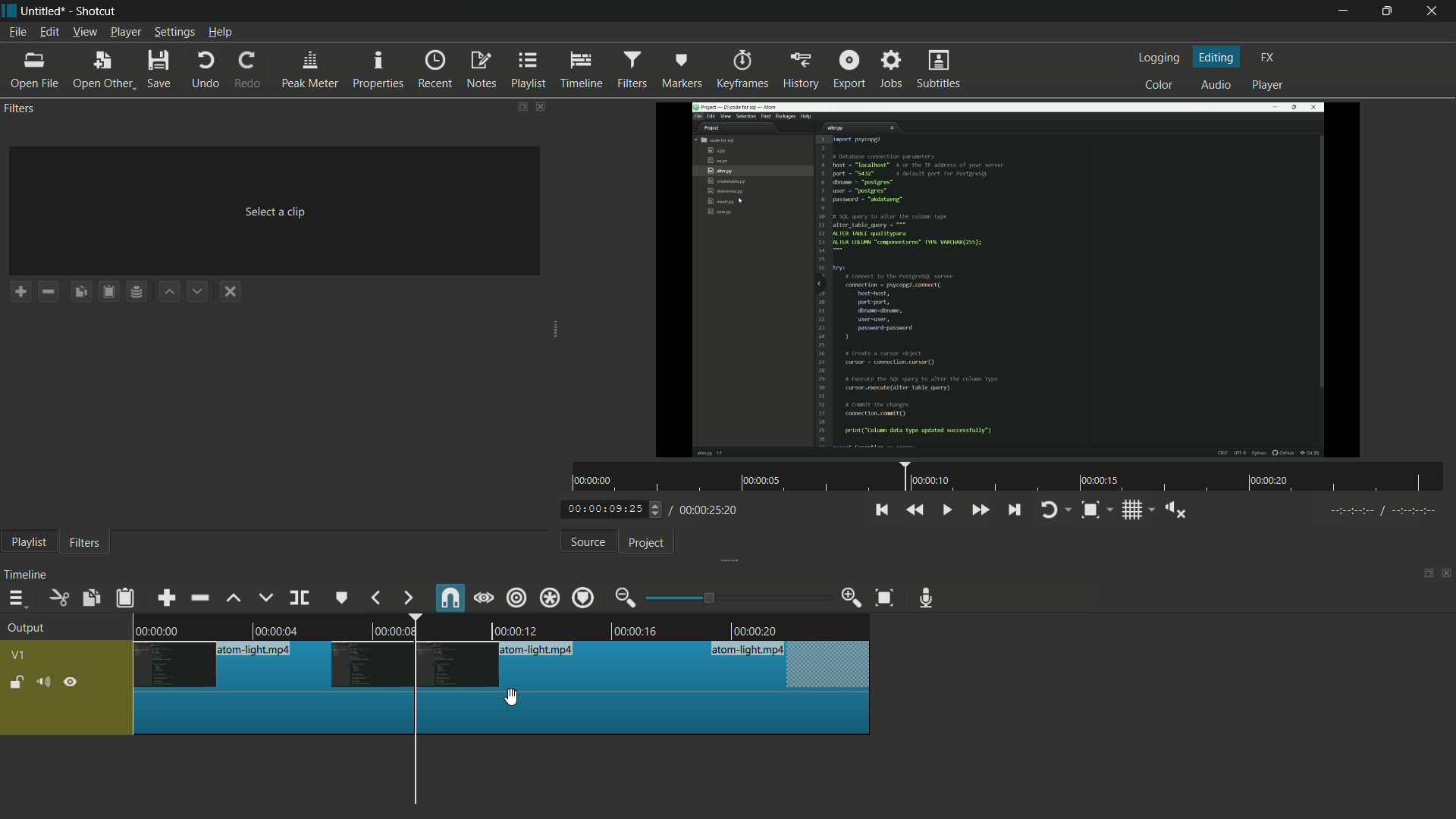 The height and width of the screenshot is (819, 1456). I want to click on adjustment bar, so click(736, 598).